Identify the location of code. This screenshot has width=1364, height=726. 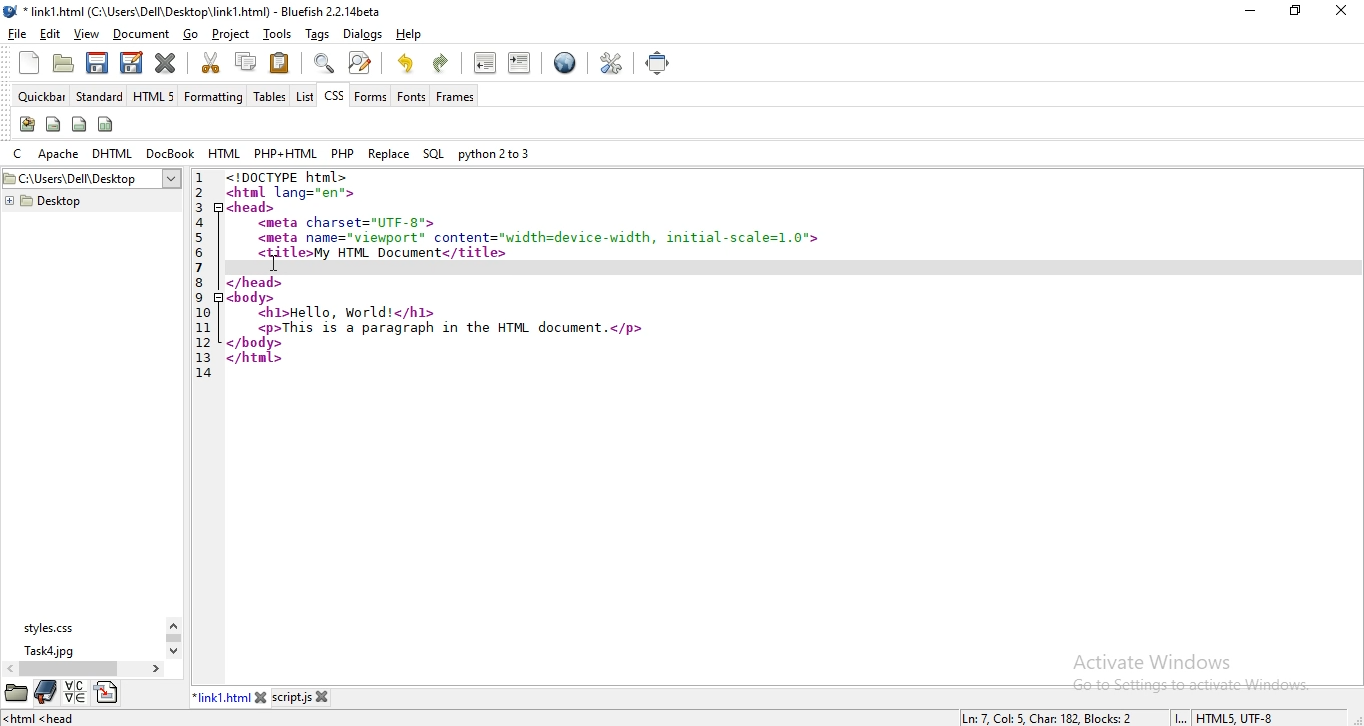
(527, 273).